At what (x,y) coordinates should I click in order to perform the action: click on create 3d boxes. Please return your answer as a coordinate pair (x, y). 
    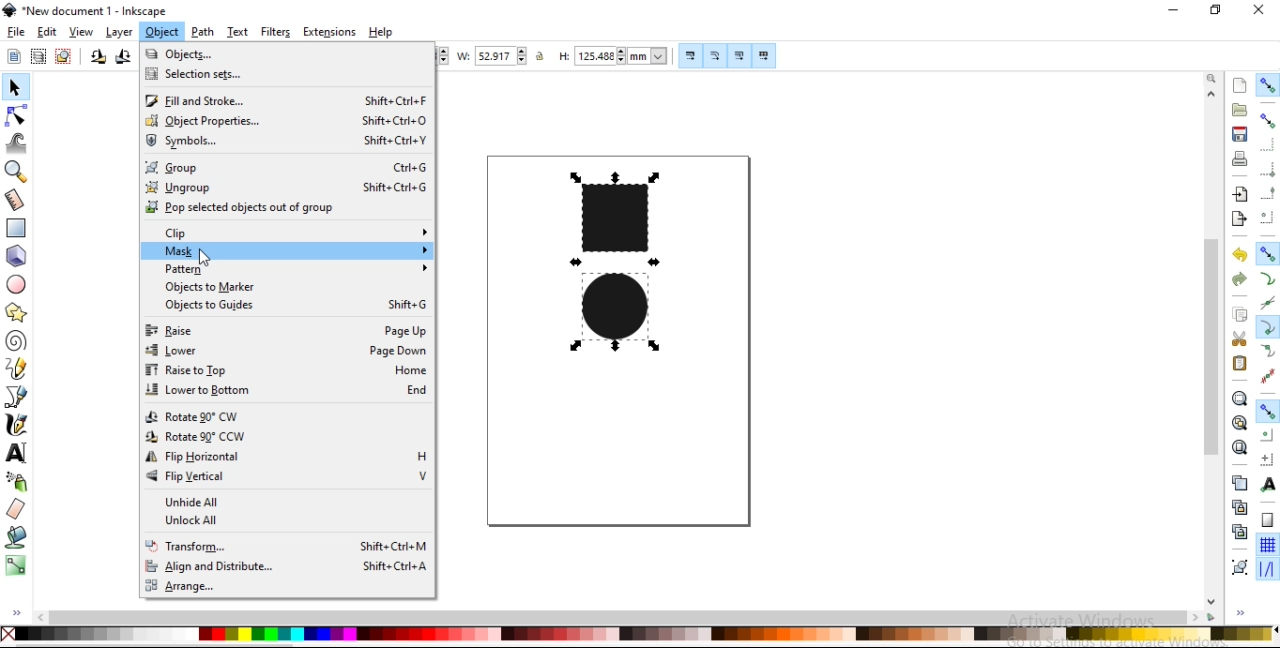
    Looking at the image, I should click on (18, 257).